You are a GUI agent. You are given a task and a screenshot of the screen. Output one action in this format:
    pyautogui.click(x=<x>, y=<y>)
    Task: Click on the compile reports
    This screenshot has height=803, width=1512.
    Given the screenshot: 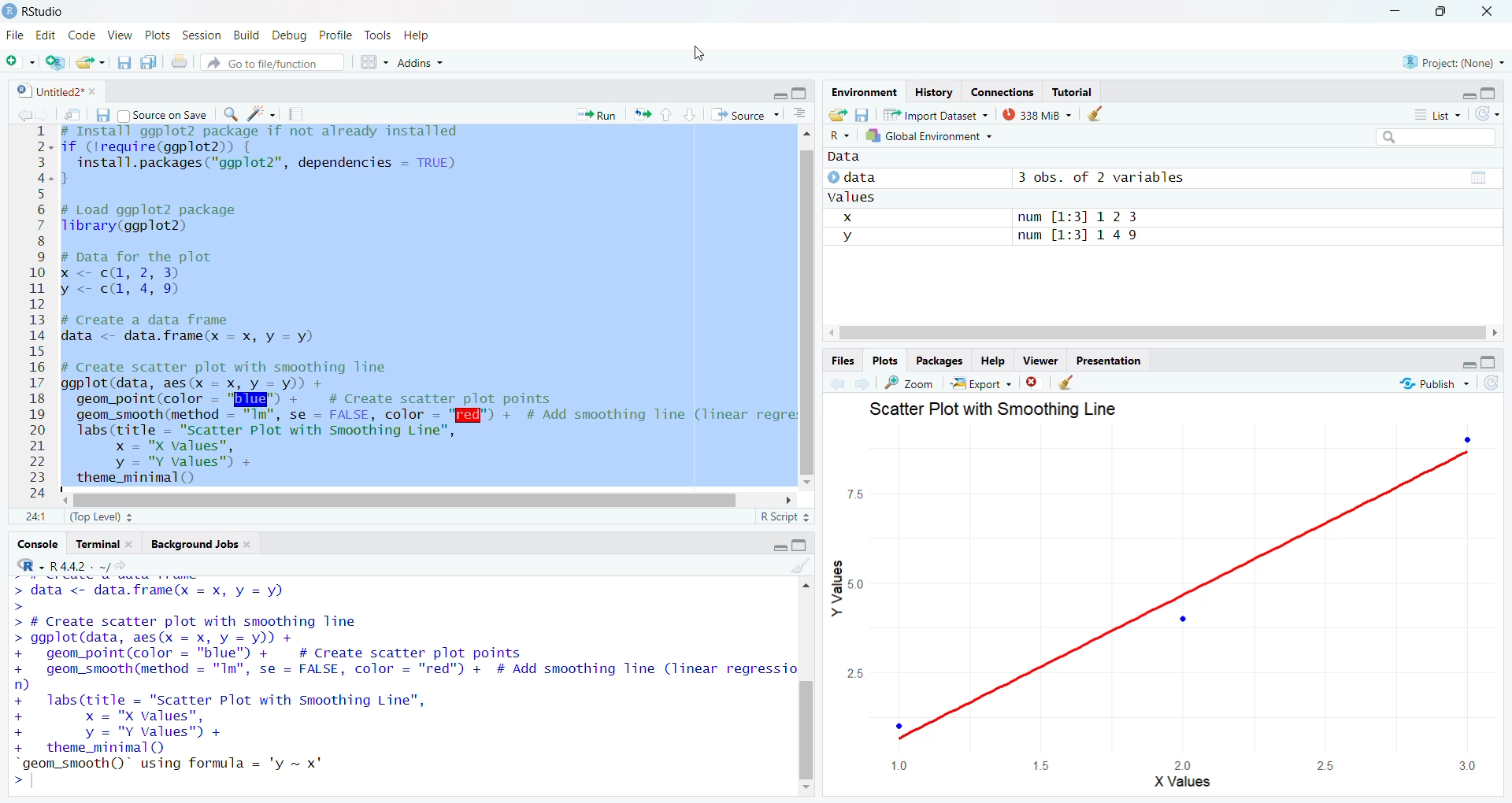 What is the action you would take?
    pyautogui.click(x=298, y=116)
    